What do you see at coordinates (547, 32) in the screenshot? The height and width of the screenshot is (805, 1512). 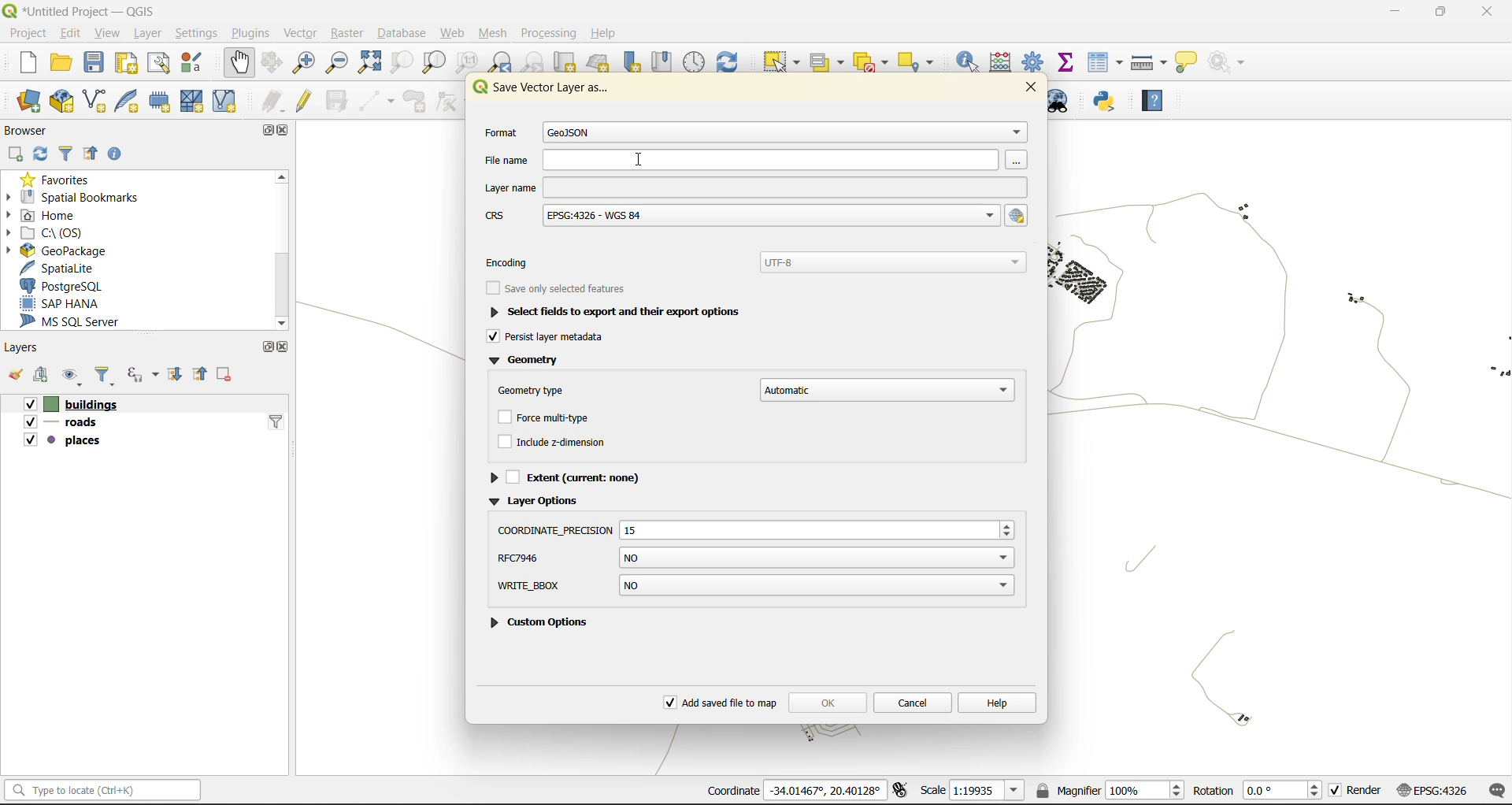 I see `processing` at bounding box center [547, 32].